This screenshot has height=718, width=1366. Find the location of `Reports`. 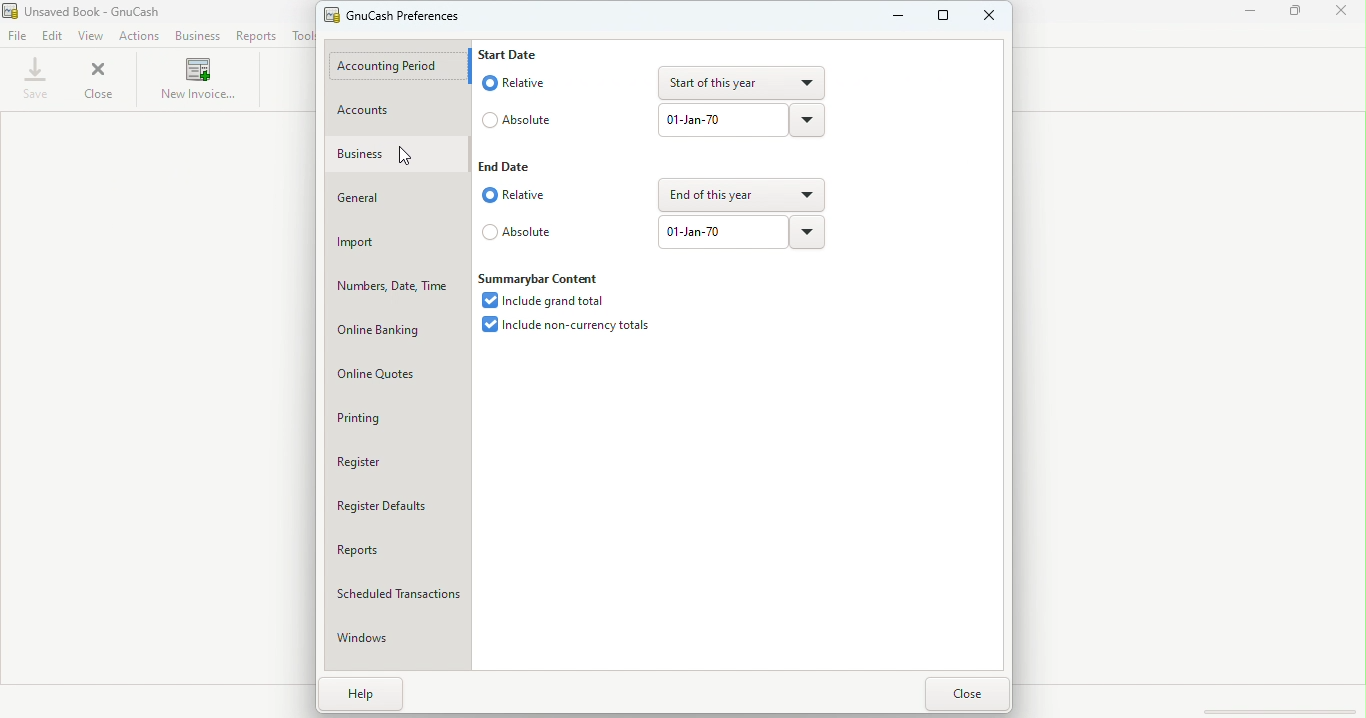

Reports is located at coordinates (261, 36).